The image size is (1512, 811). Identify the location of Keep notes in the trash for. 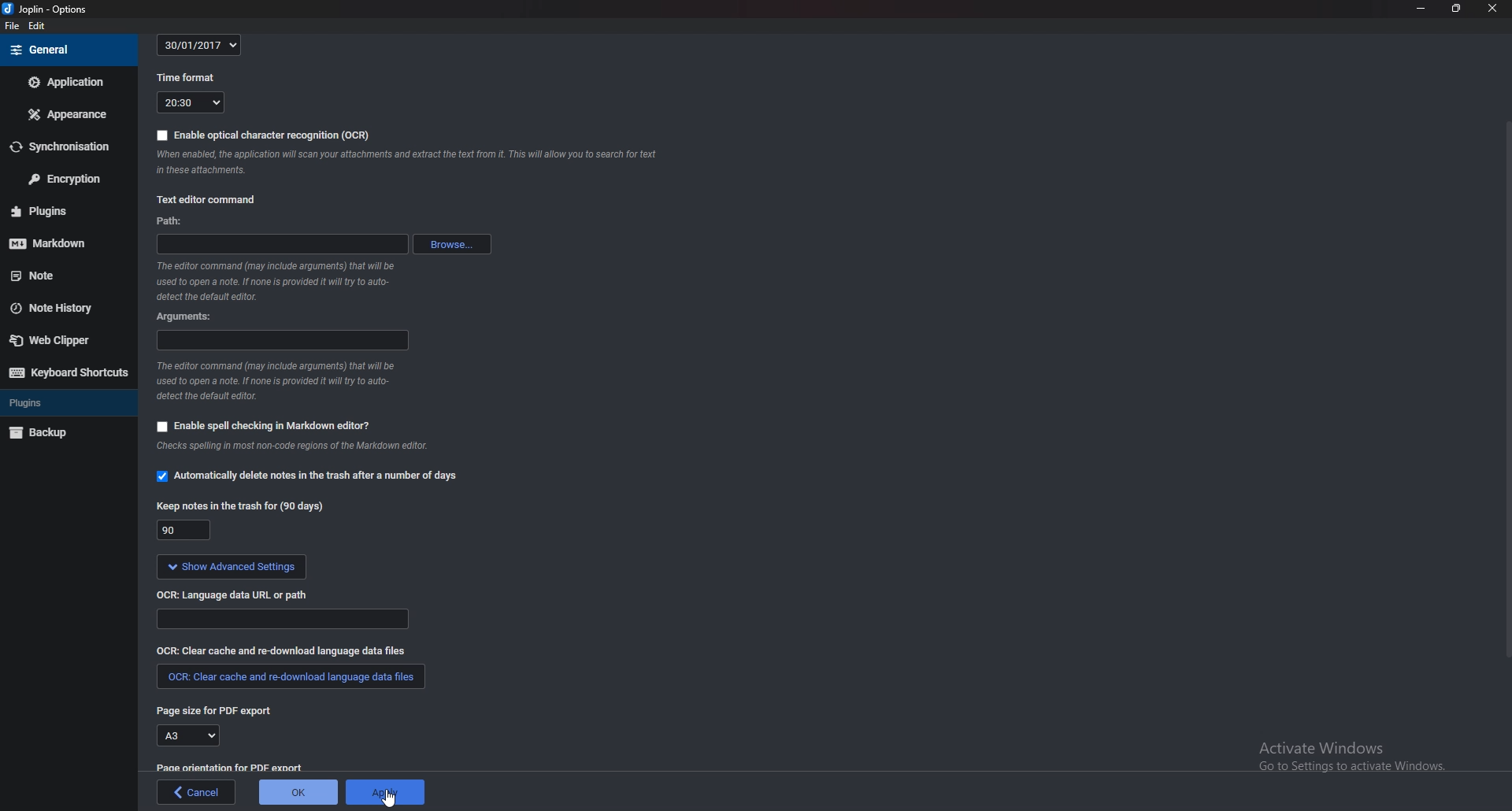
(240, 508).